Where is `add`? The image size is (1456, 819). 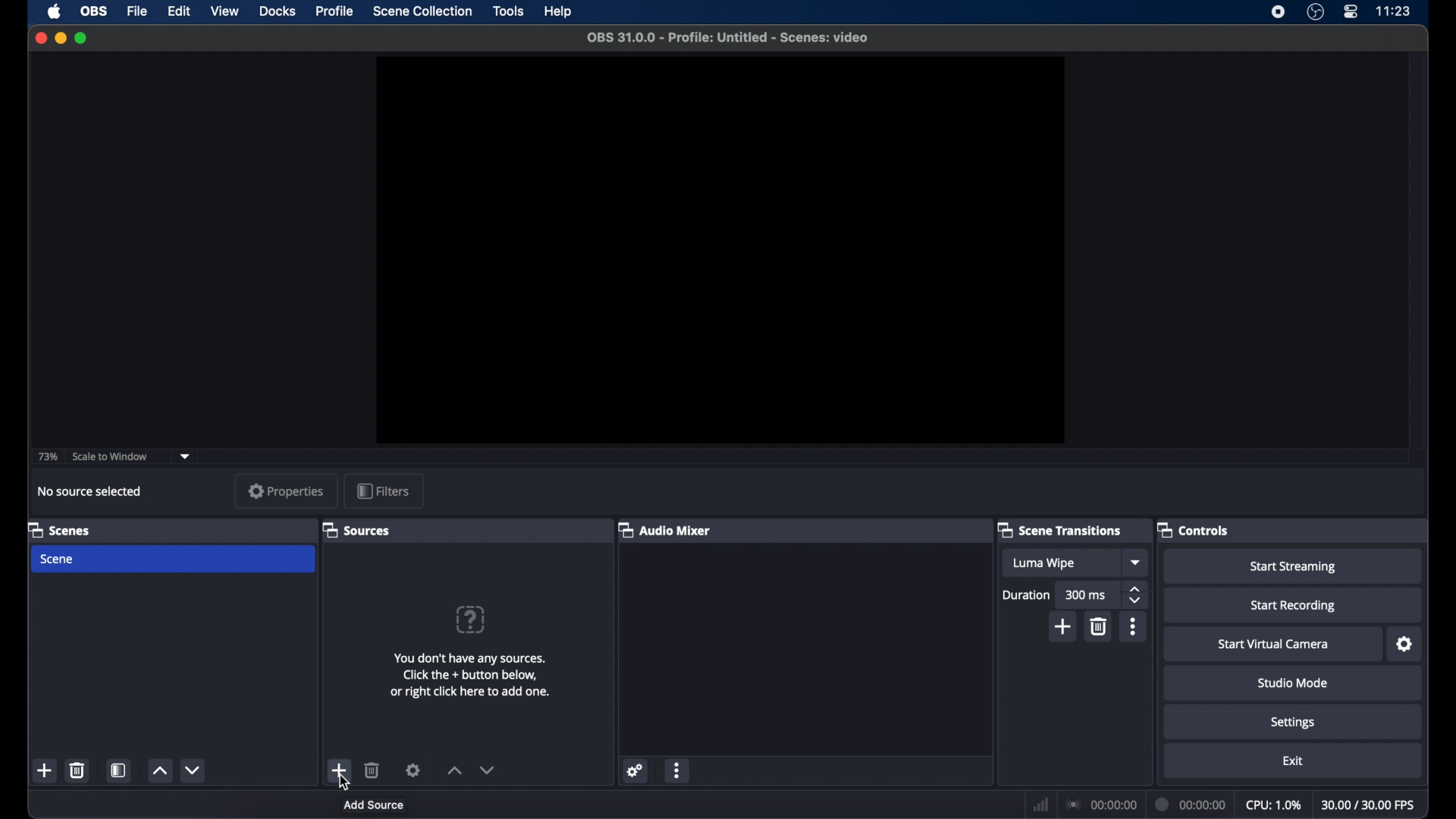 add is located at coordinates (1064, 627).